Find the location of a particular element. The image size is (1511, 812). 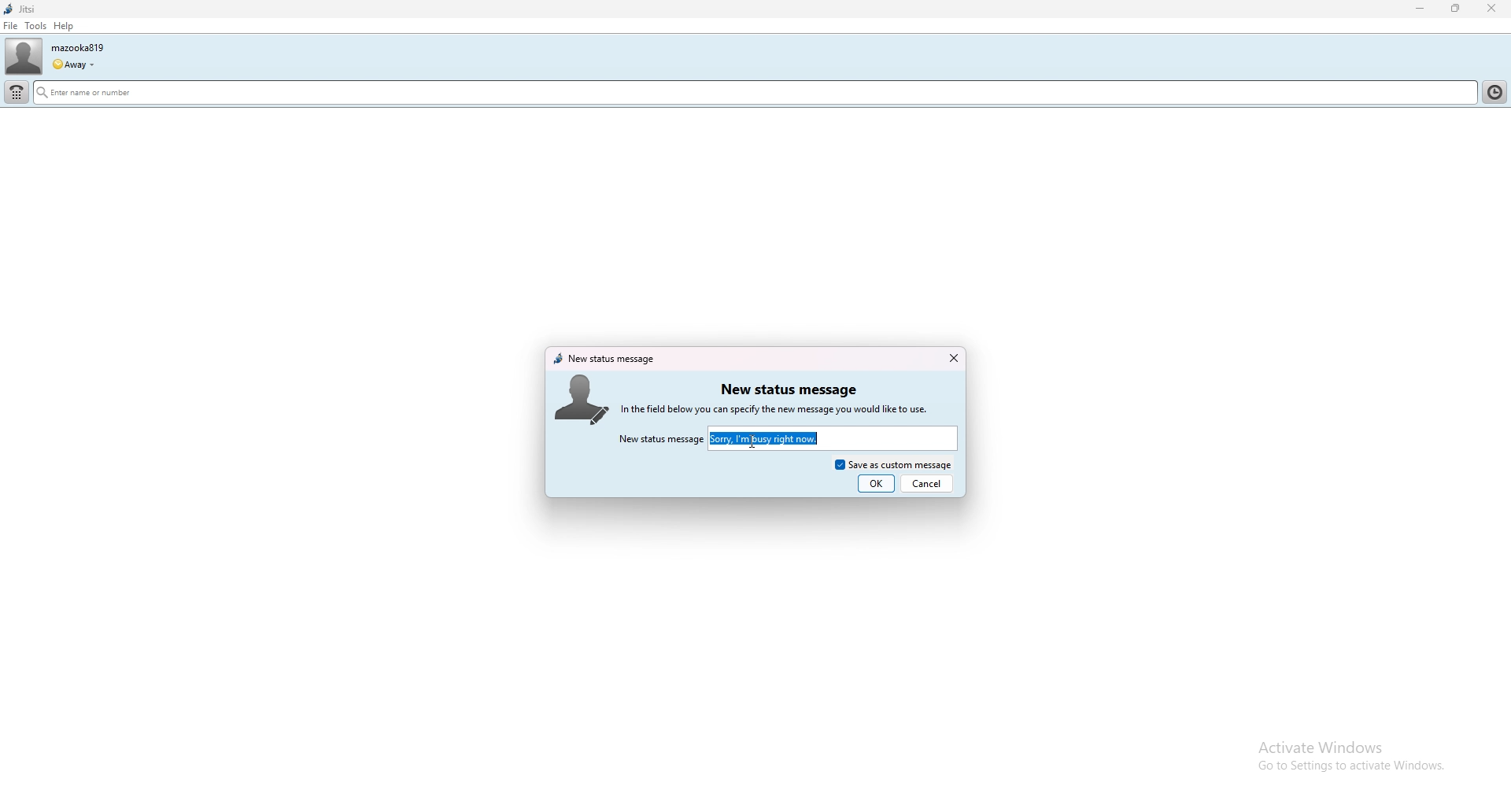

Activate Windows Go to Settings to activate Windows. is located at coordinates (1336, 755).